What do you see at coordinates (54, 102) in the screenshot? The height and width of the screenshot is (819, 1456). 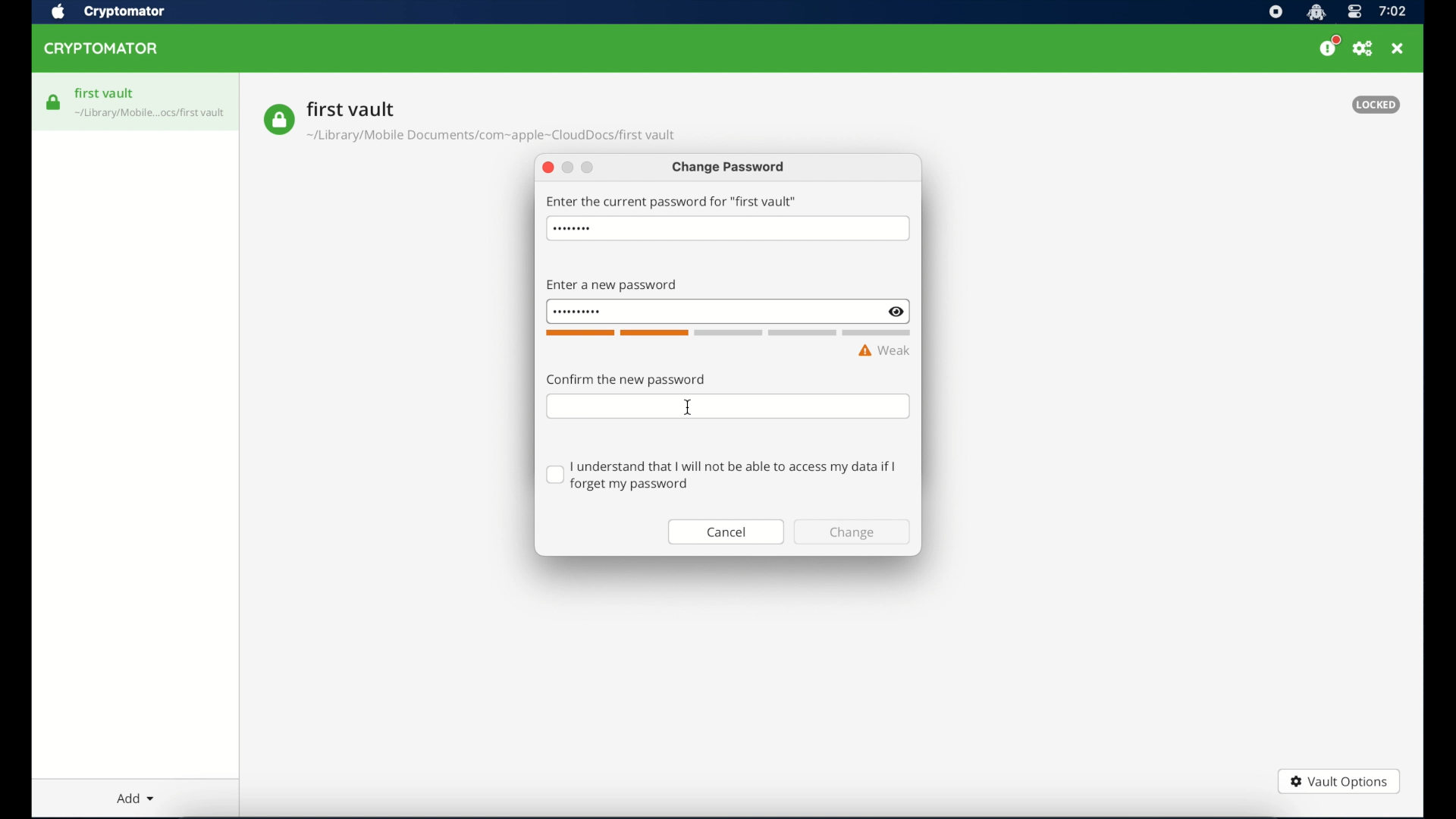 I see `vault icon` at bounding box center [54, 102].